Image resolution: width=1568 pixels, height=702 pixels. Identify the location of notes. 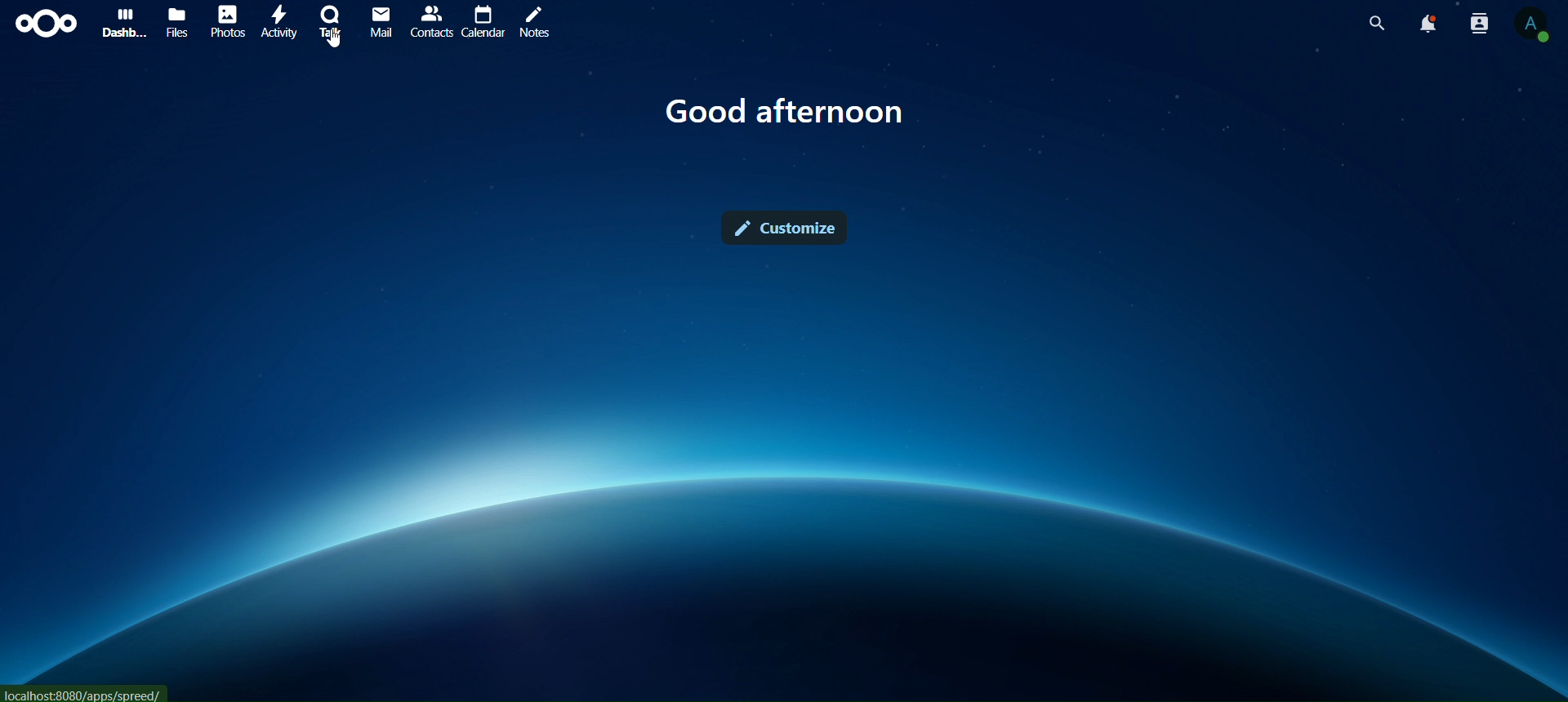
(541, 25).